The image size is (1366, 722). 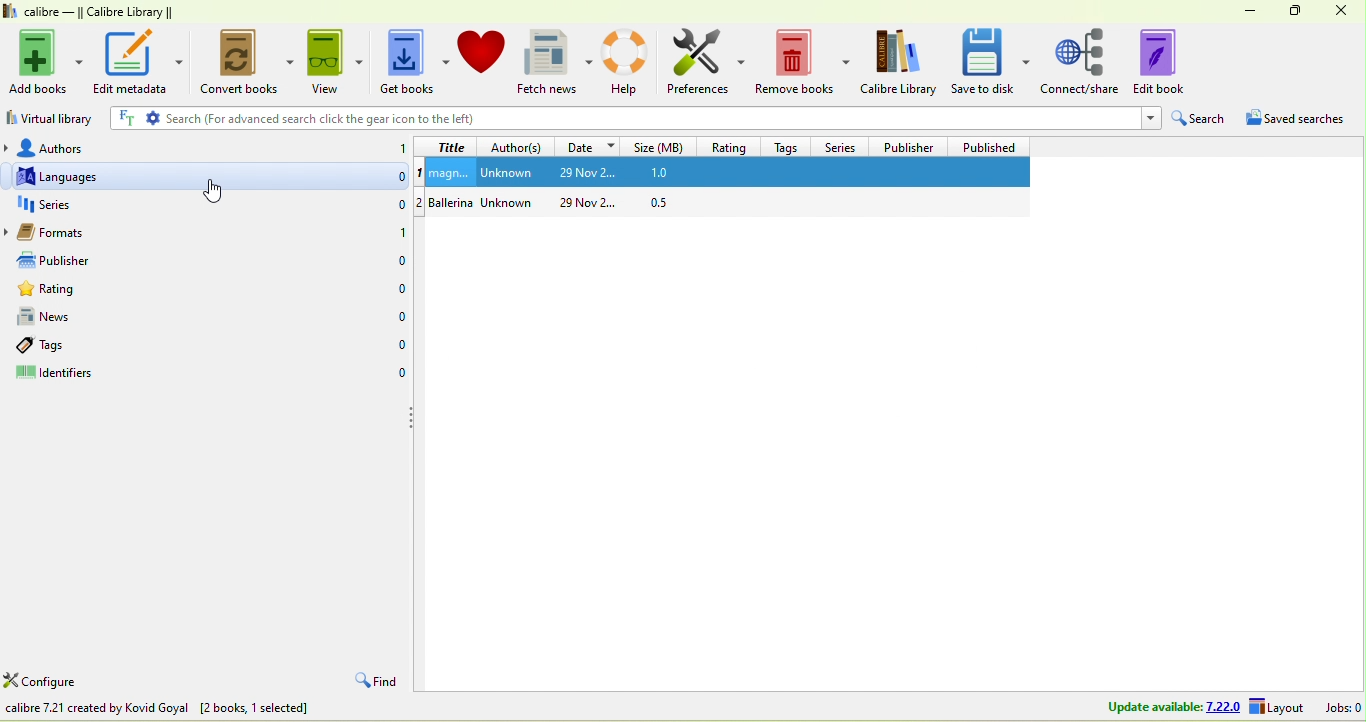 I want to click on languages, so click(x=99, y=179).